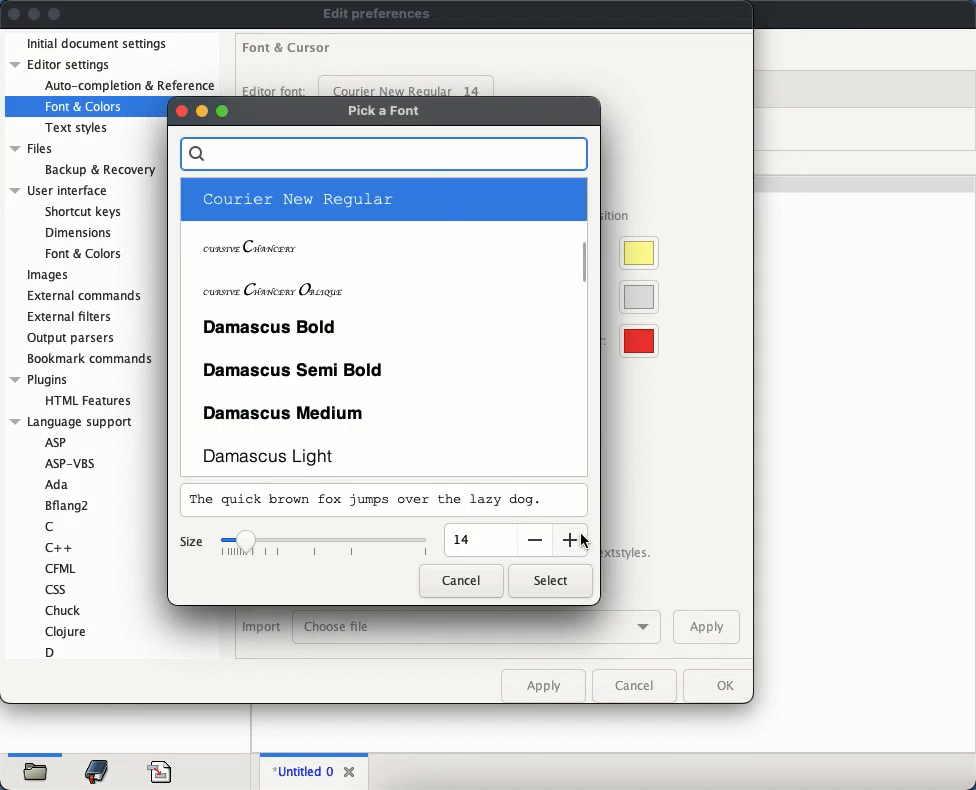 The image size is (976, 790). Describe the element at coordinates (98, 45) in the screenshot. I see `initial document settings` at that location.